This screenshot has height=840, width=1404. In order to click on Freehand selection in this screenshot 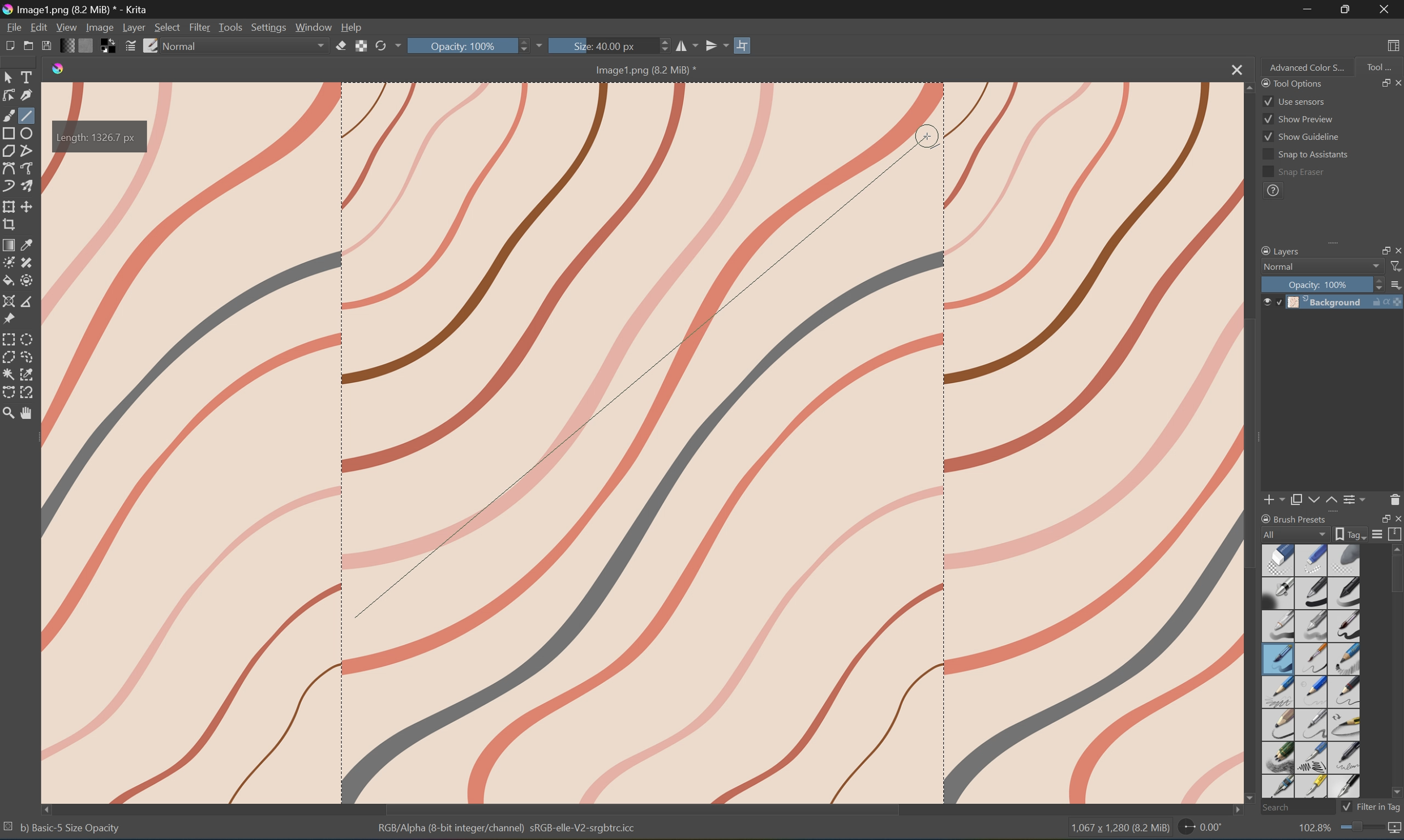, I will do `click(29, 357)`.